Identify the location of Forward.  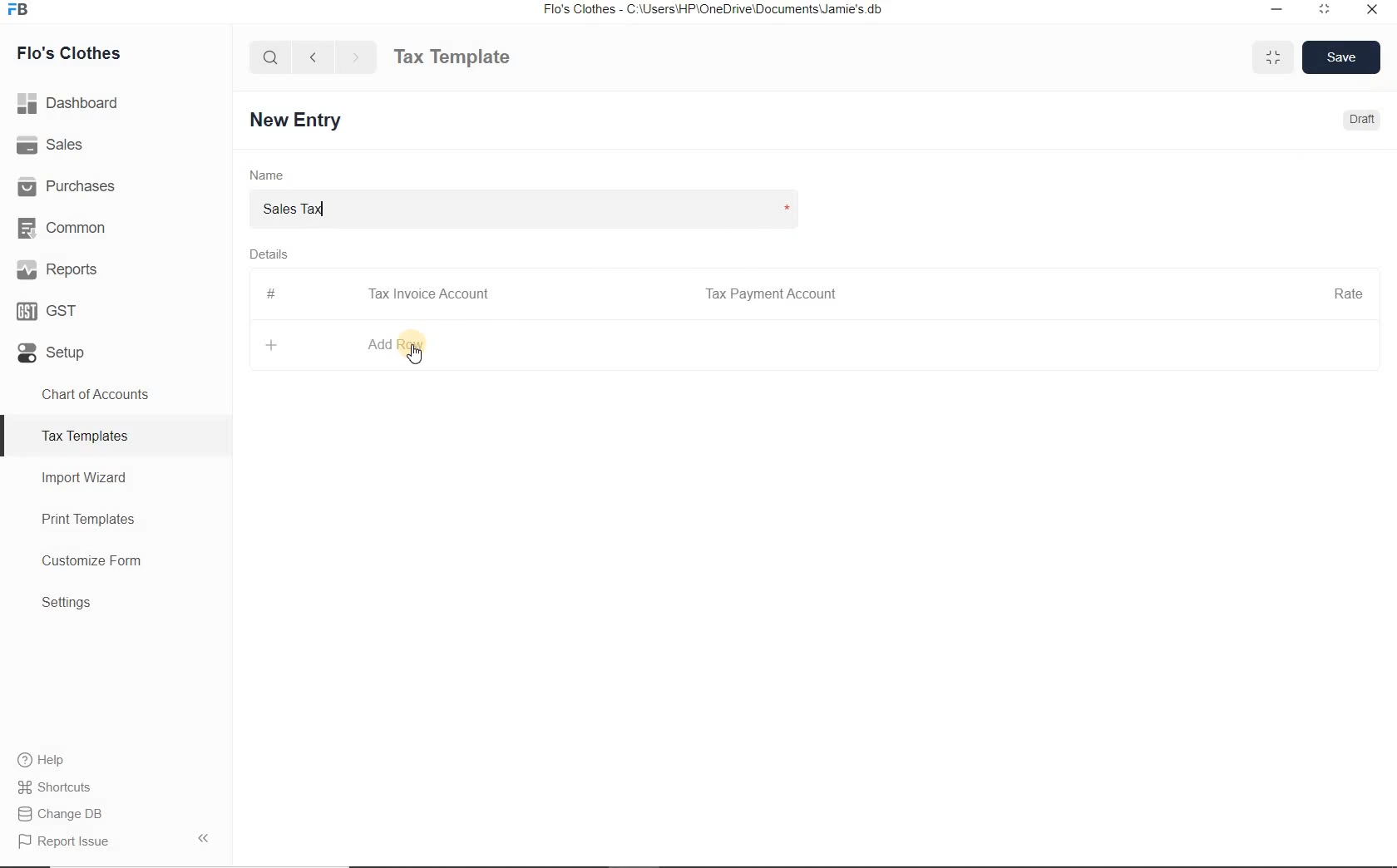
(357, 57).